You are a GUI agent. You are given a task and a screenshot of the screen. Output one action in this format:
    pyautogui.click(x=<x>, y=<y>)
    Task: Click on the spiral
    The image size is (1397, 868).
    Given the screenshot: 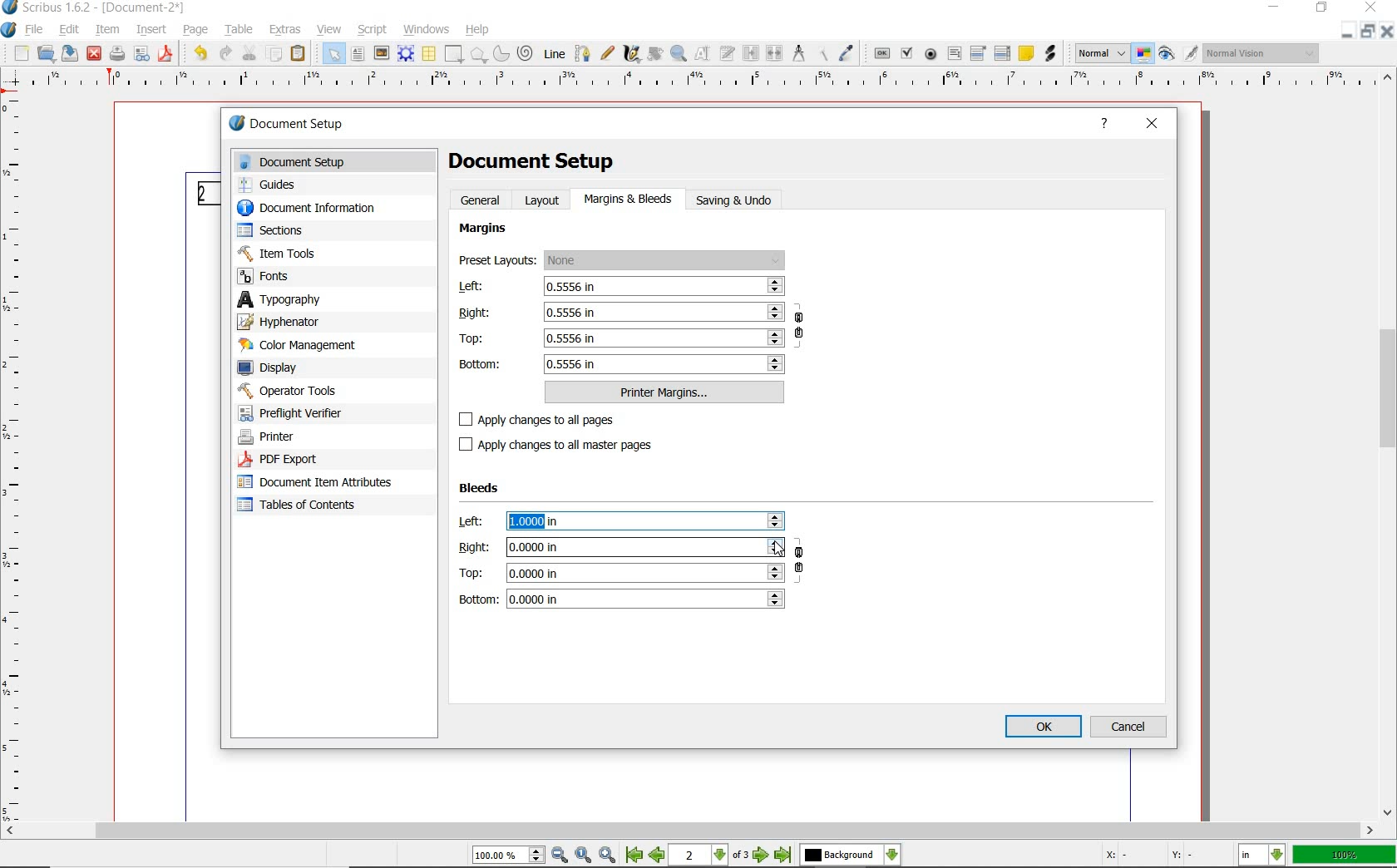 What is the action you would take?
    pyautogui.click(x=525, y=52)
    